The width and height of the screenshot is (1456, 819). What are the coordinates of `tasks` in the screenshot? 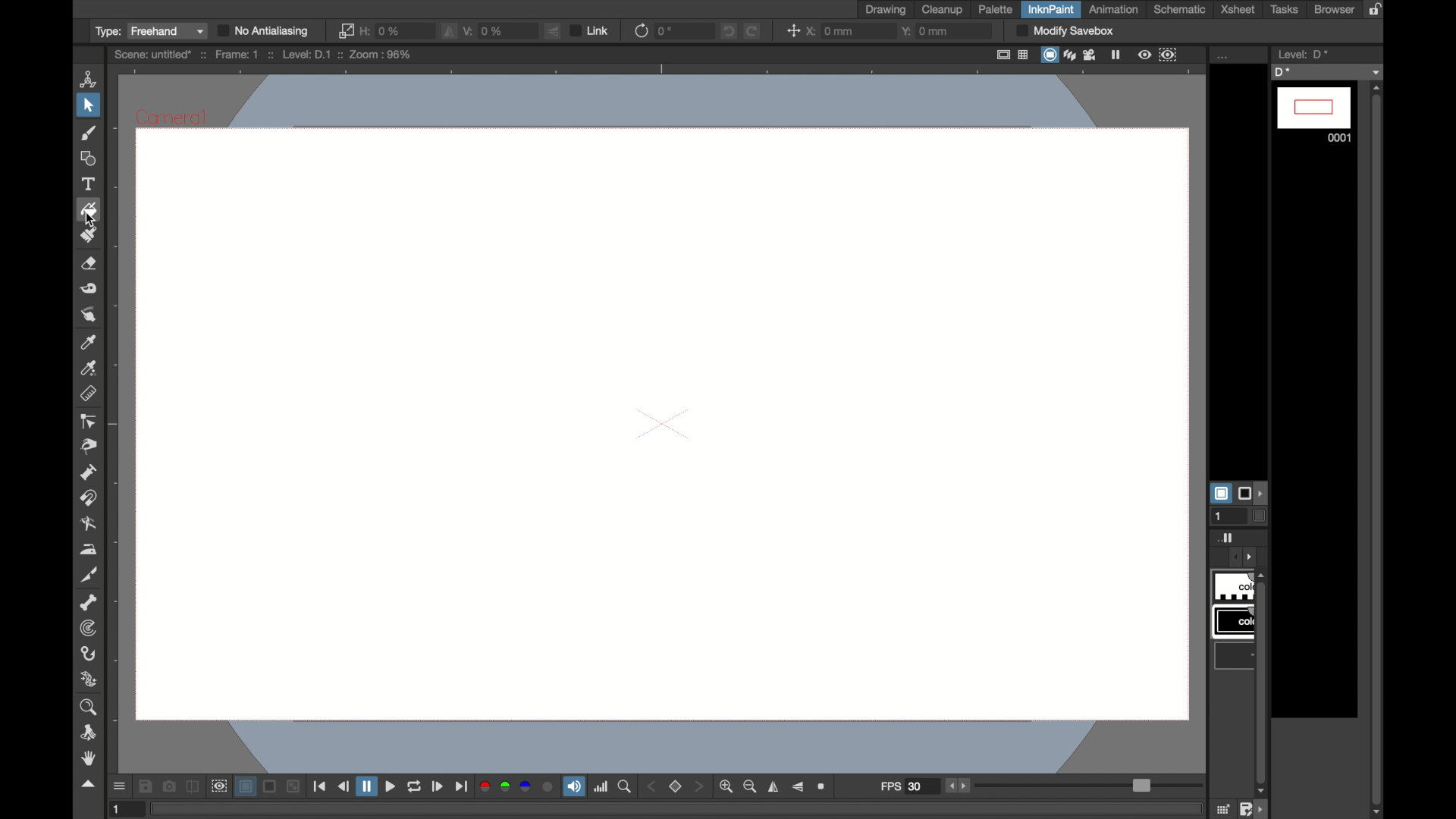 It's located at (1283, 10).